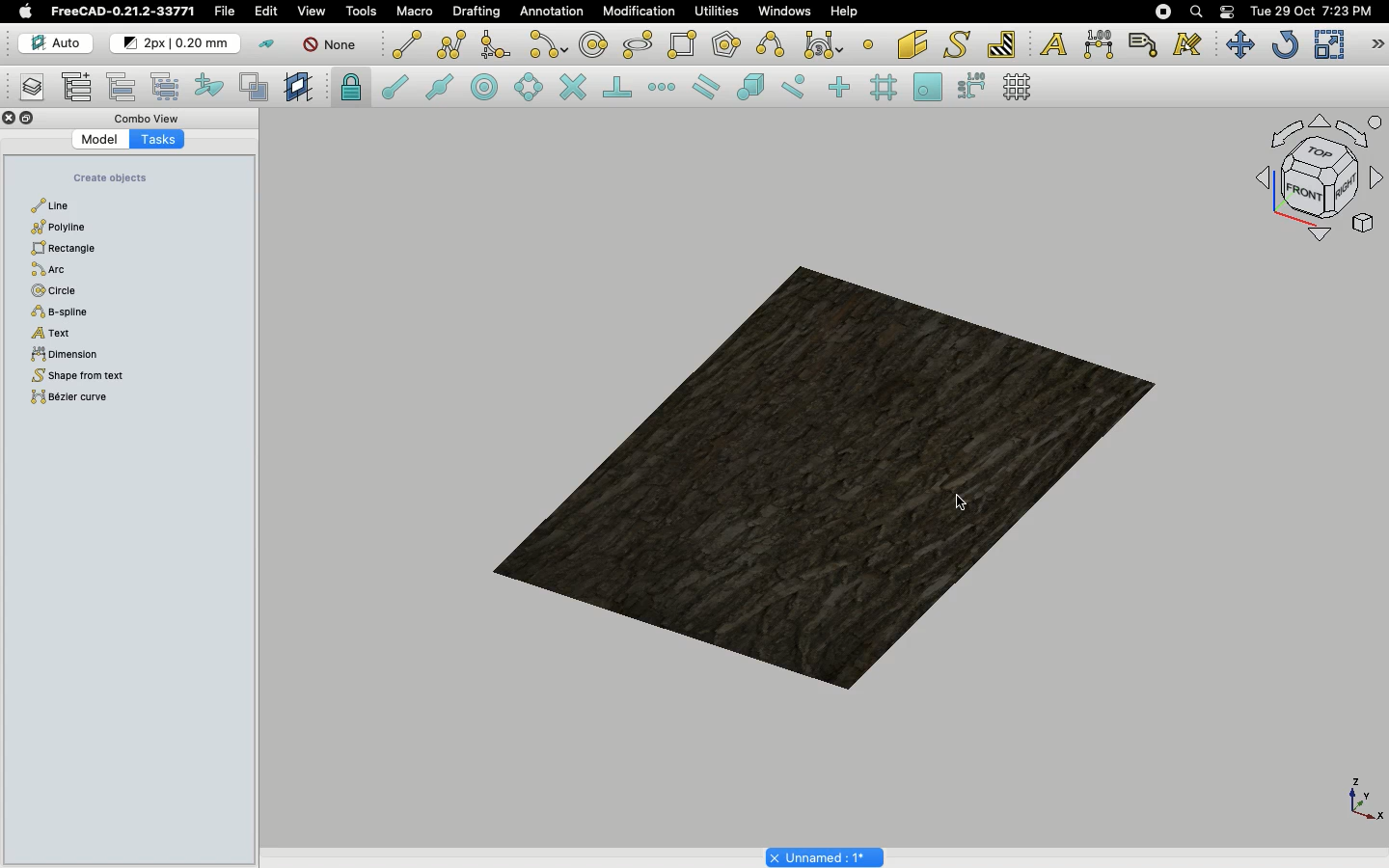 The height and width of the screenshot is (868, 1389). What do you see at coordinates (833, 87) in the screenshot?
I see `Snap ortho` at bounding box center [833, 87].